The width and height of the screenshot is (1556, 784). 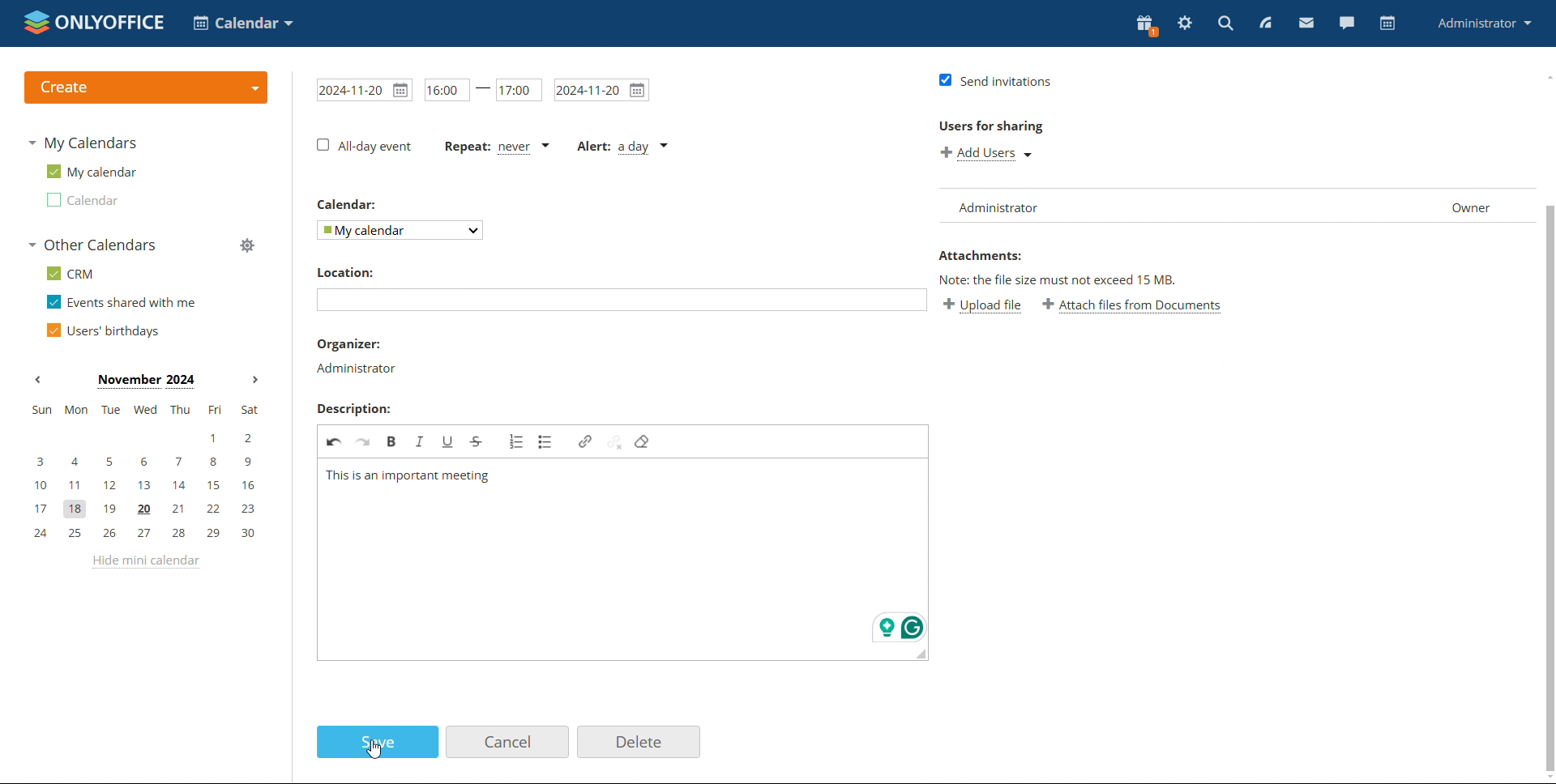 I want to click on users' birthdays, so click(x=103, y=330).